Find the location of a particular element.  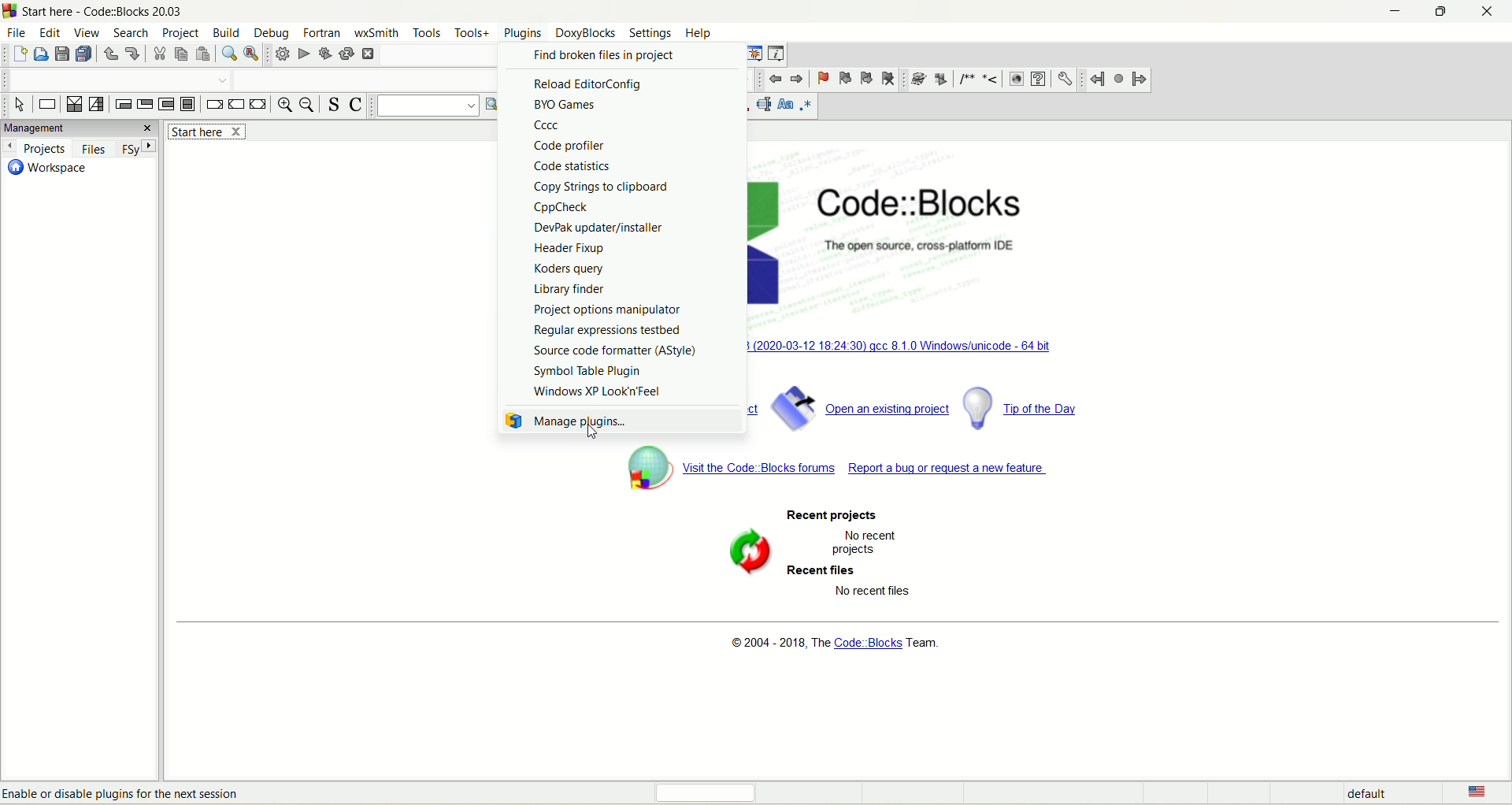

doxyblocks is located at coordinates (587, 34).